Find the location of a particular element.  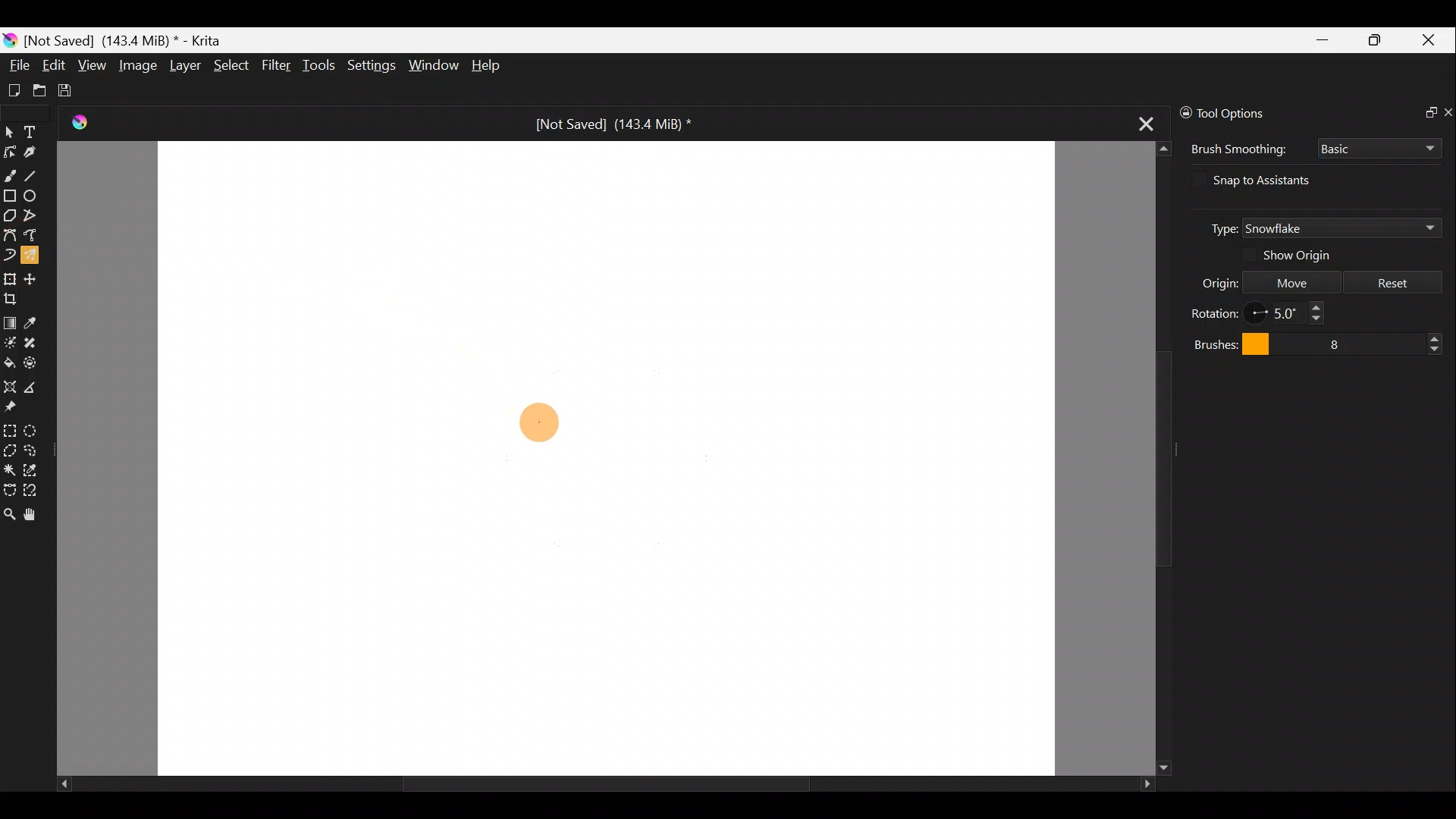

Similar color selection tool is located at coordinates (33, 469).